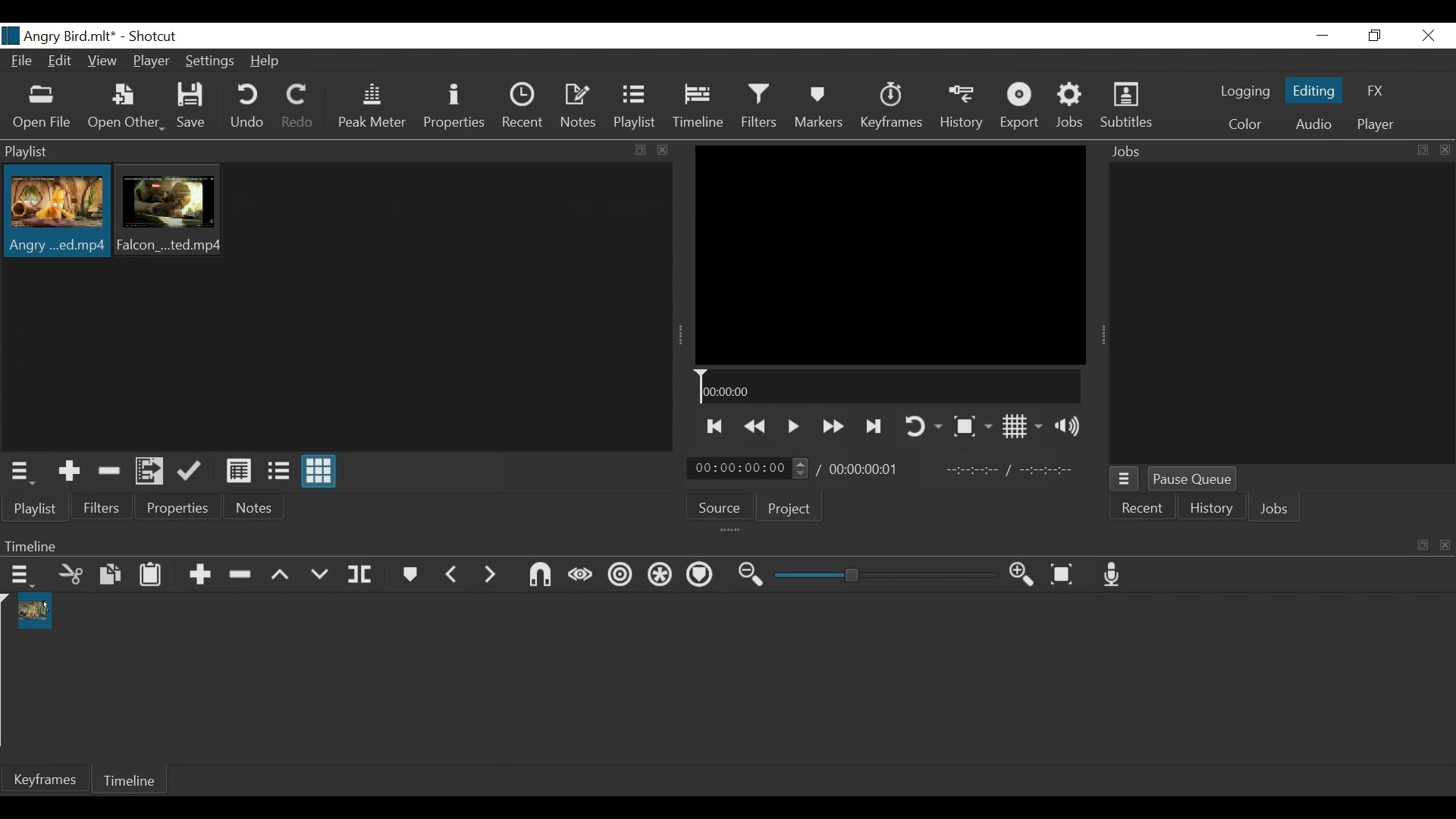 This screenshot has width=1456, height=819. What do you see at coordinates (789, 509) in the screenshot?
I see `Project` at bounding box center [789, 509].